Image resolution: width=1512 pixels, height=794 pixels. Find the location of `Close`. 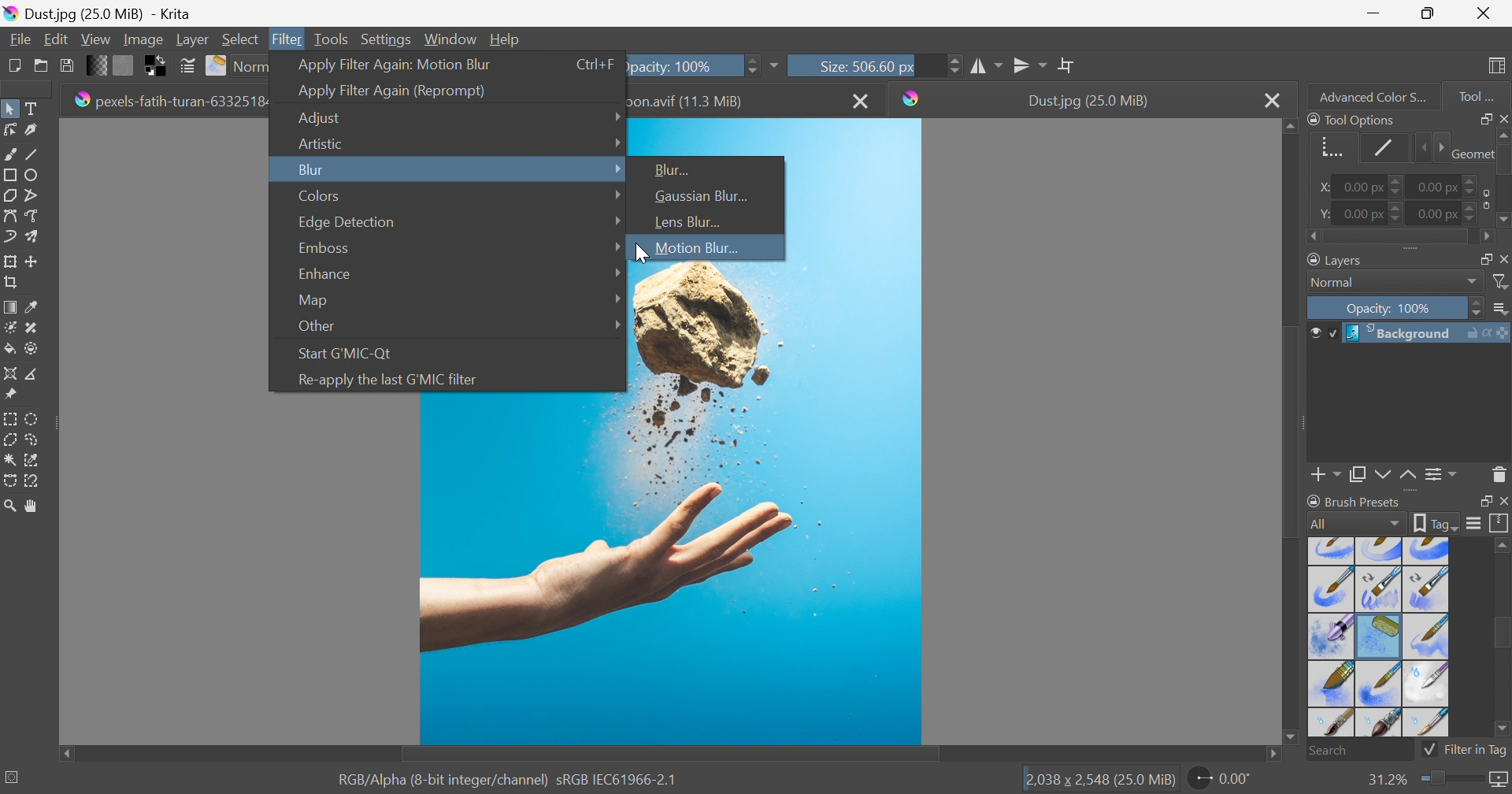

Close is located at coordinates (1503, 502).